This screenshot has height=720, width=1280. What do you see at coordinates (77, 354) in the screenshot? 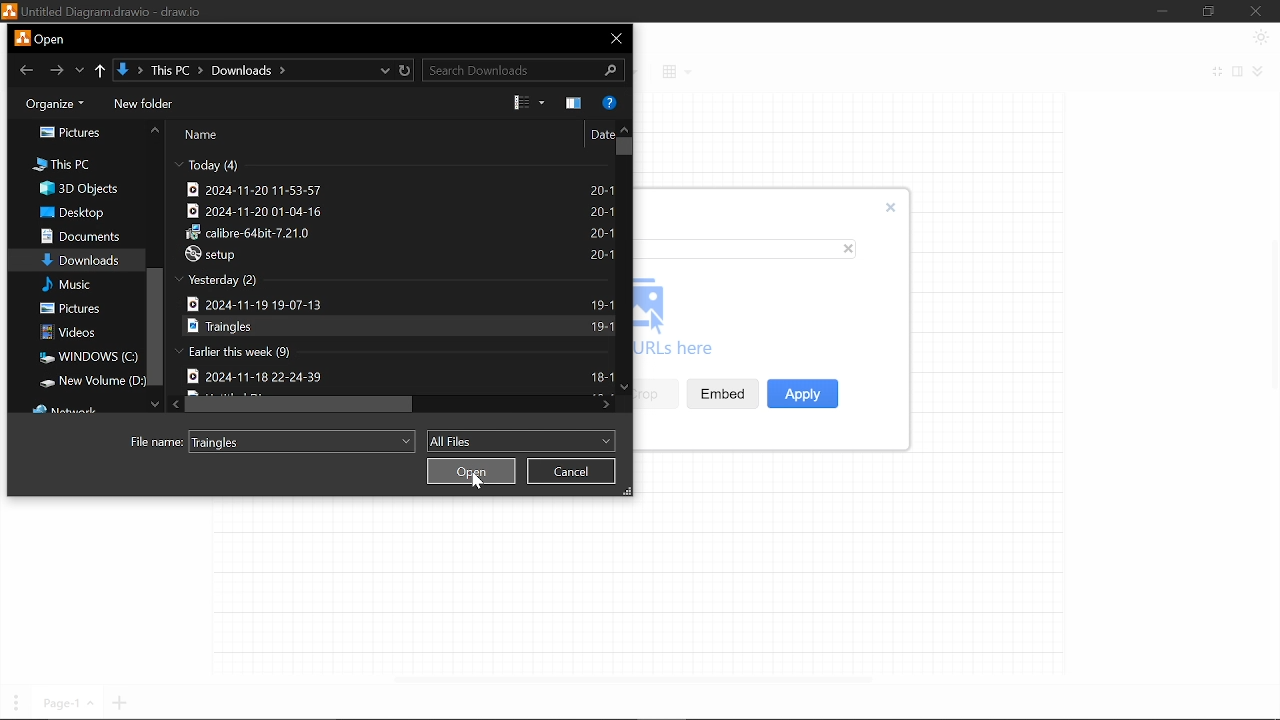
I see `Windows(C:)` at bounding box center [77, 354].